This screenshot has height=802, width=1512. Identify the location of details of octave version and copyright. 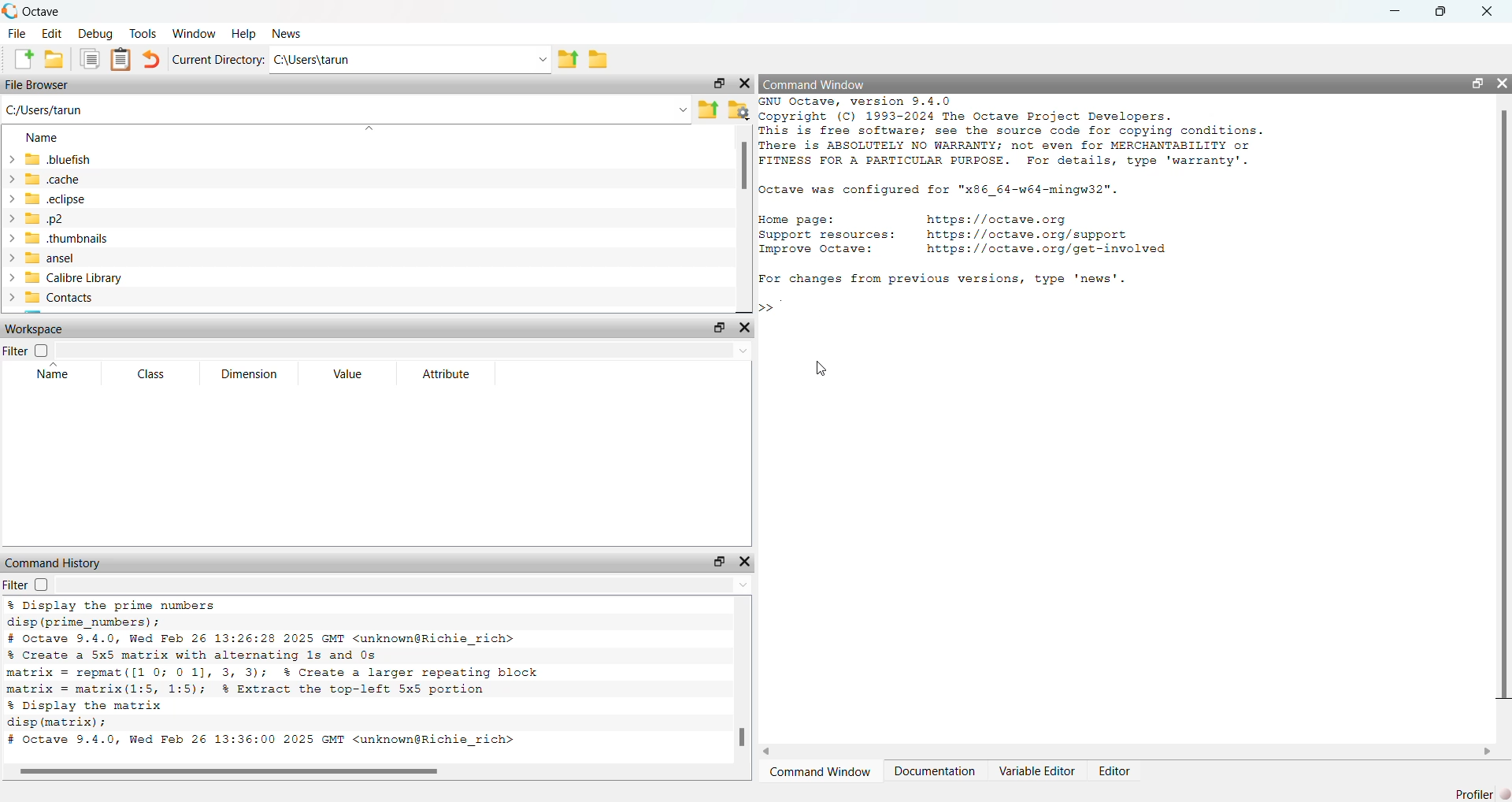
(1043, 134).